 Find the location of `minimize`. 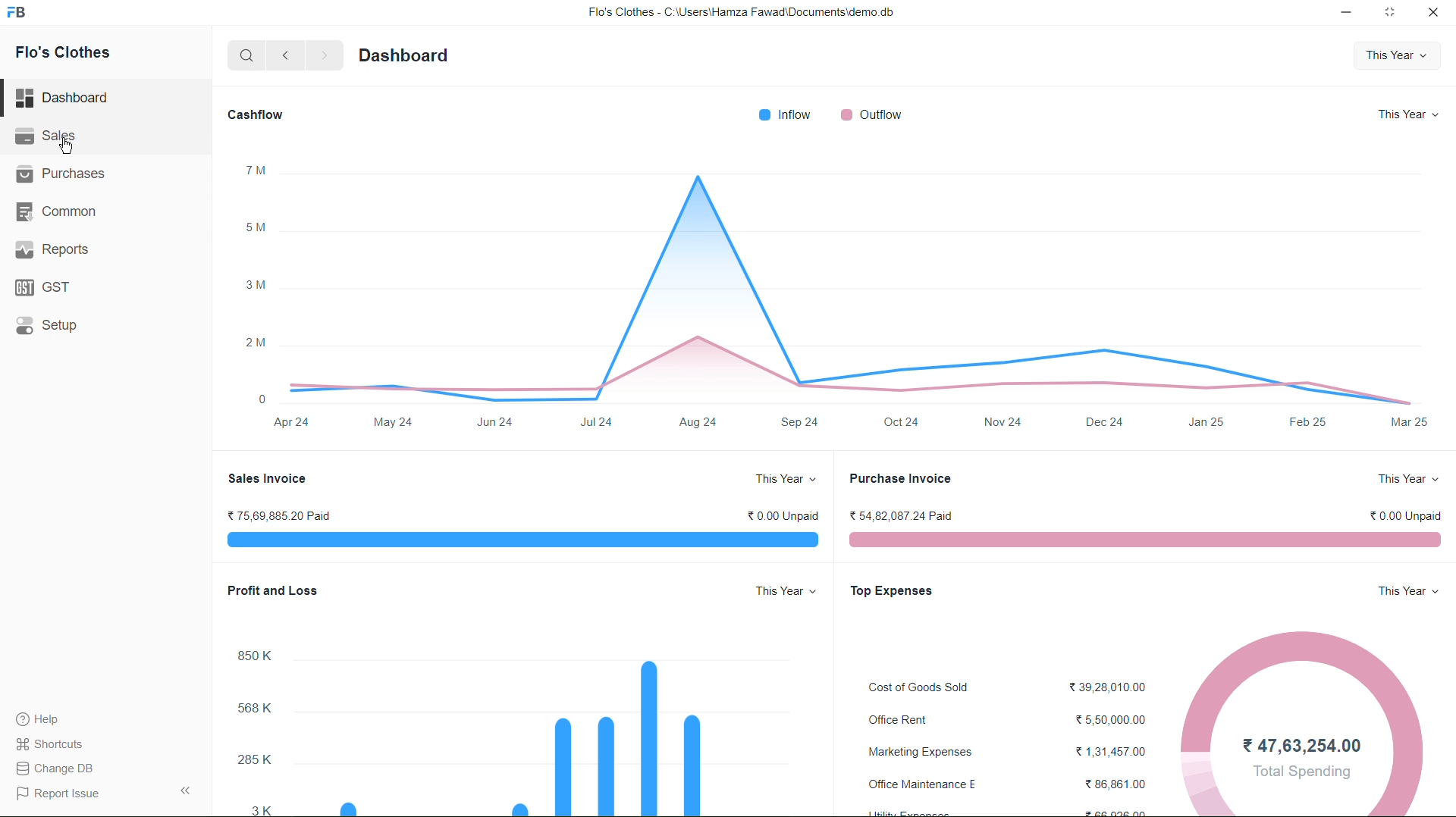

minimize is located at coordinates (1342, 14).